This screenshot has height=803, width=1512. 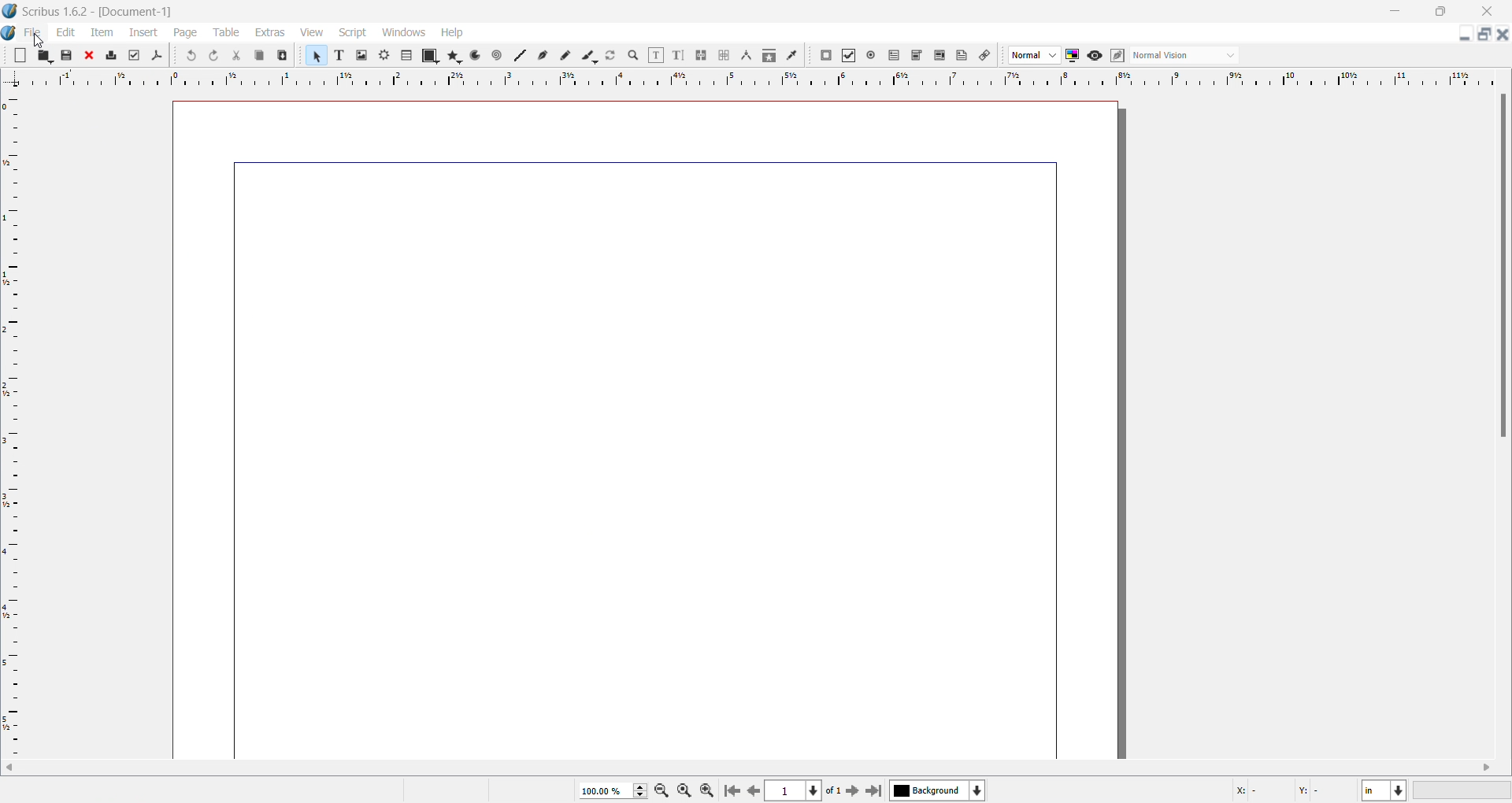 I want to click on paste, so click(x=283, y=57).